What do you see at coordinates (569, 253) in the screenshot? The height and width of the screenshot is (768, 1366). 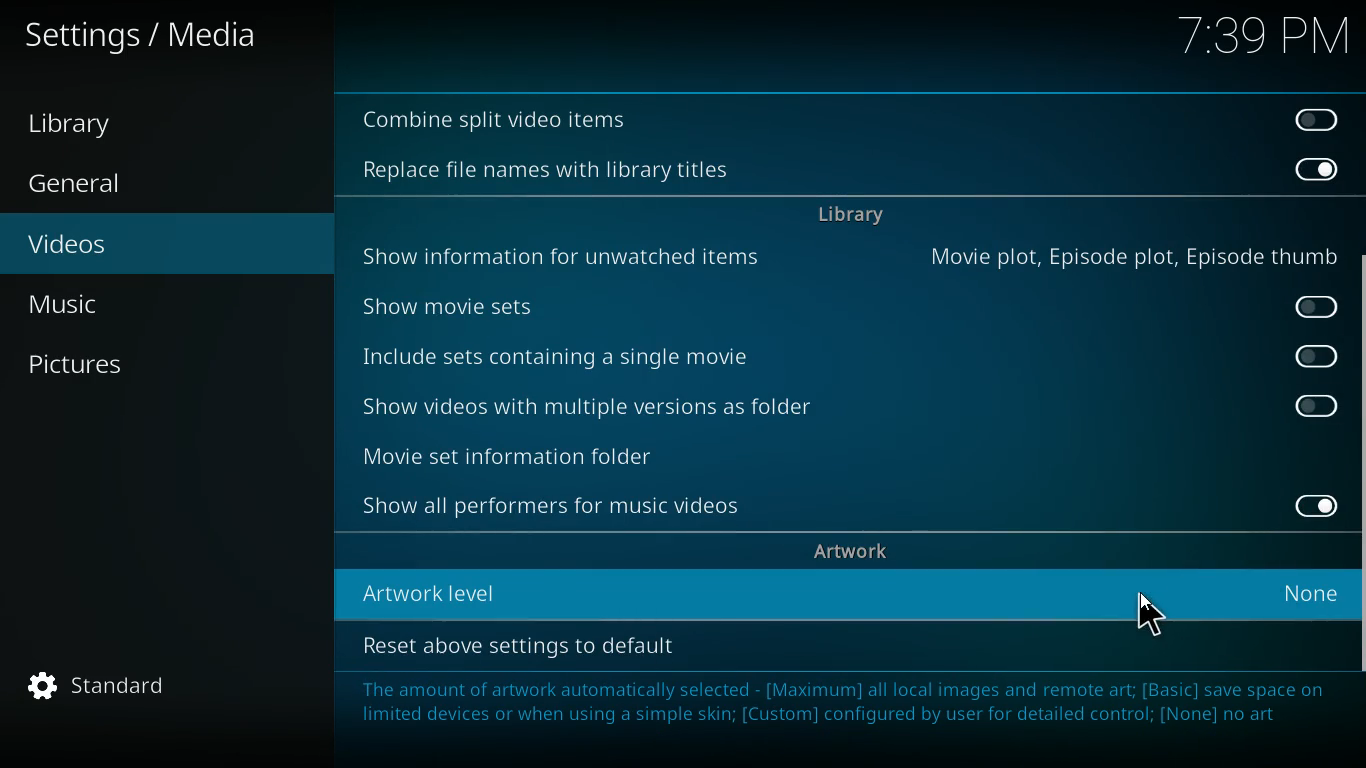 I see `show information` at bounding box center [569, 253].